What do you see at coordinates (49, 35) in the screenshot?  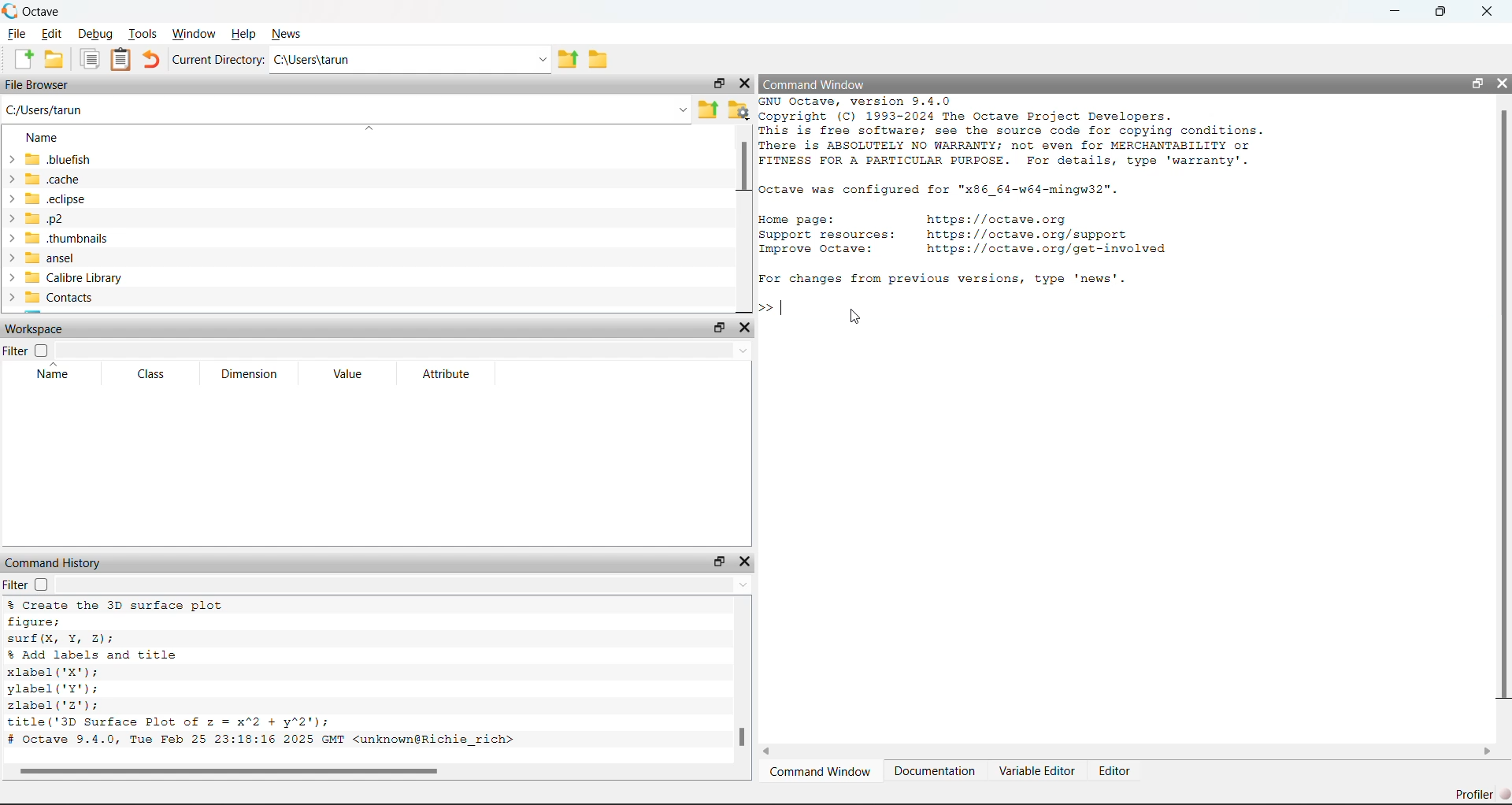 I see `Edit` at bounding box center [49, 35].